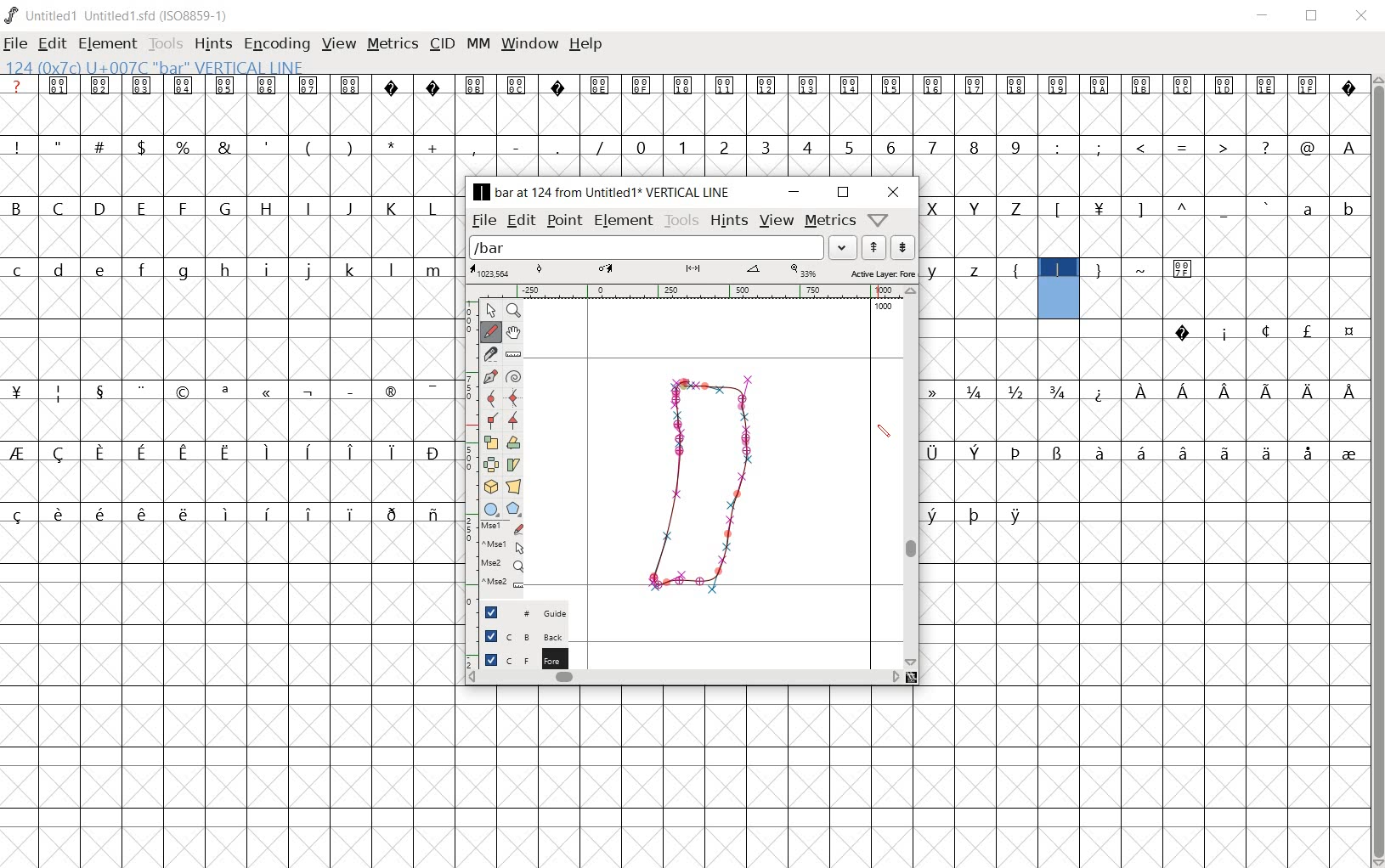 The height and width of the screenshot is (868, 1385). Describe the element at coordinates (515, 421) in the screenshot. I see `Add a corner point` at that location.